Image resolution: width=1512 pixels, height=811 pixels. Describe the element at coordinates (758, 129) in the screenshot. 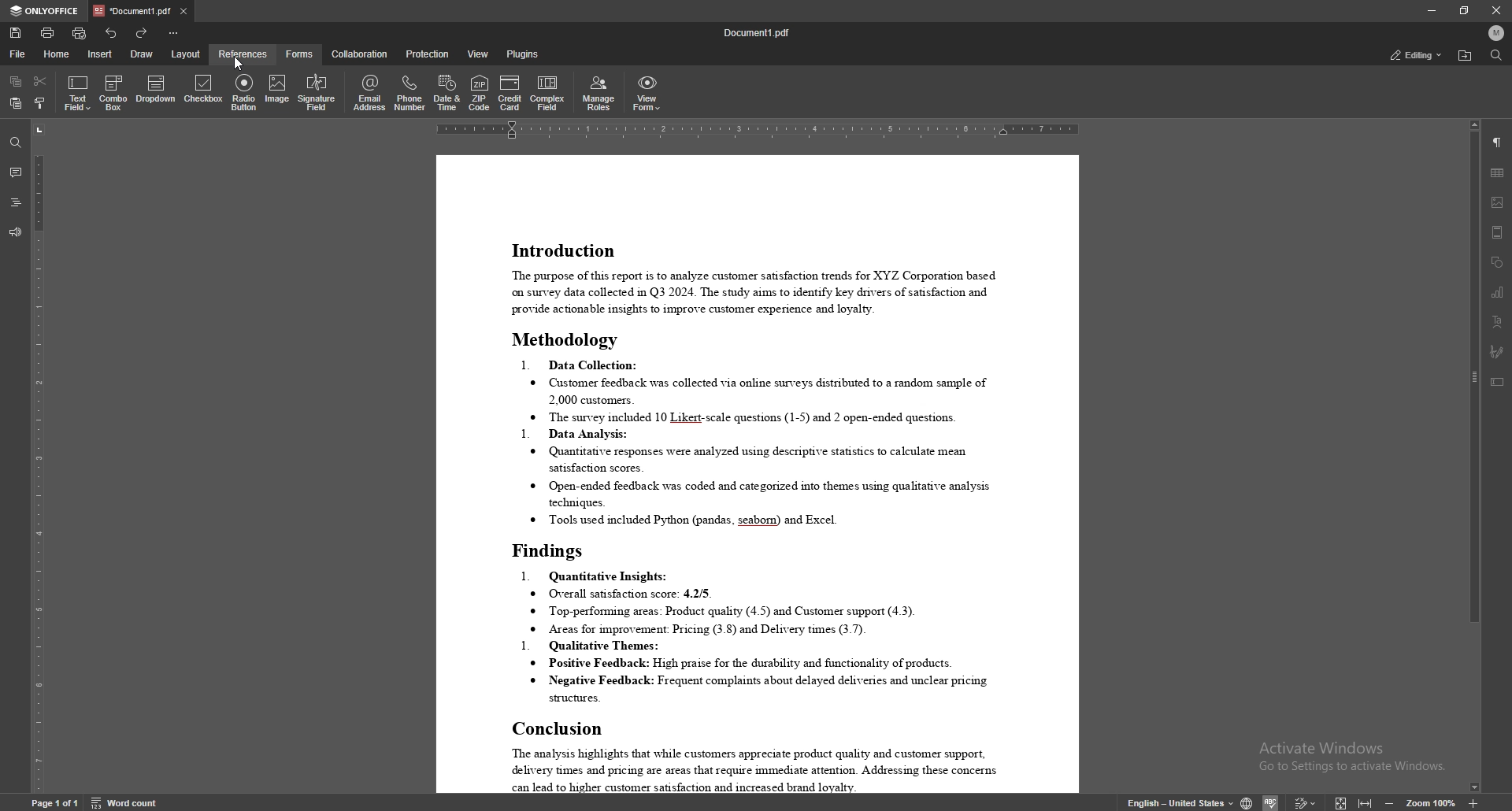

I see `horizontal scale` at that location.